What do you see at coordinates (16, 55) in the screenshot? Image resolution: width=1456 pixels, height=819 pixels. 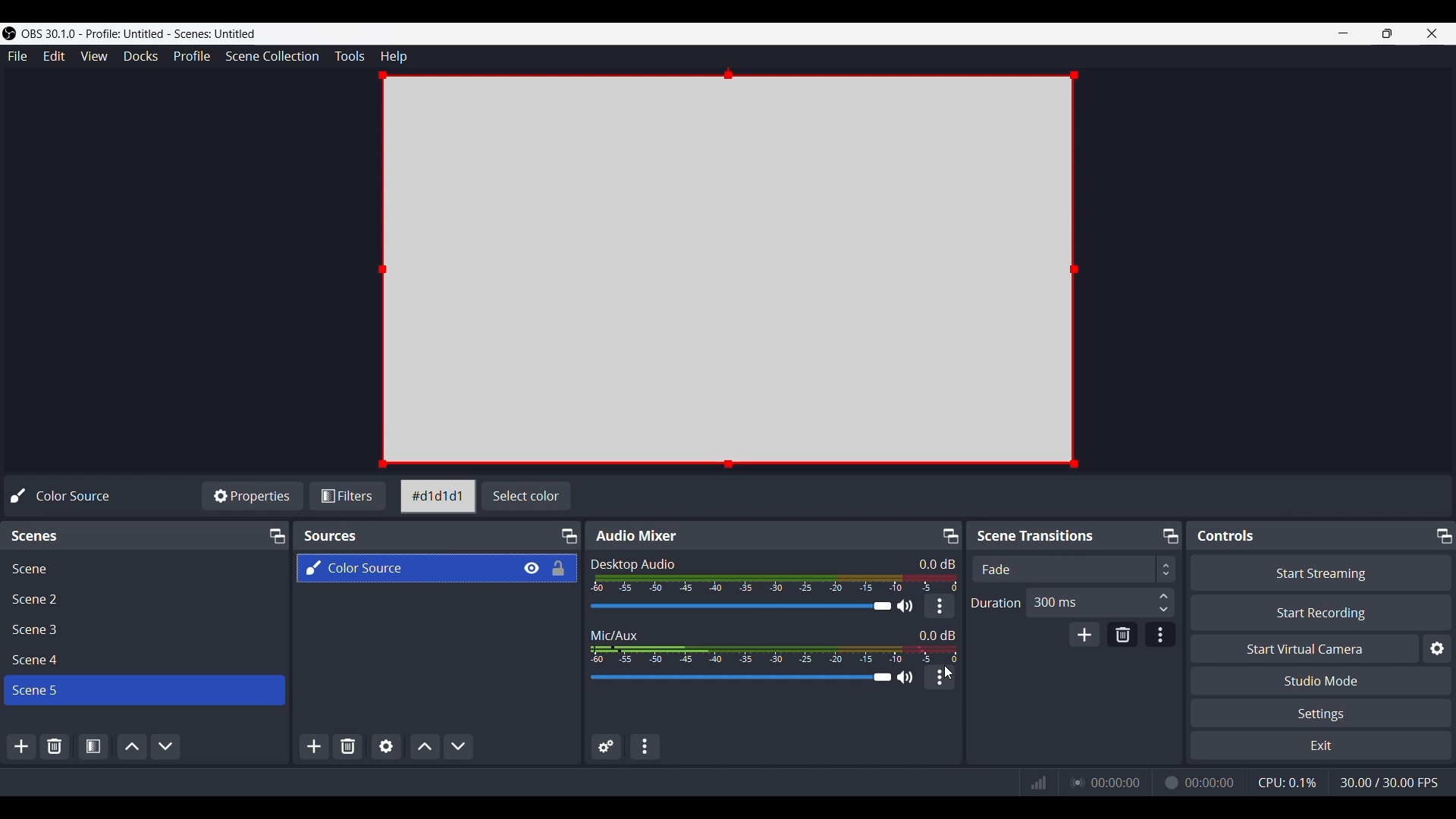 I see `File` at bounding box center [16, 55].